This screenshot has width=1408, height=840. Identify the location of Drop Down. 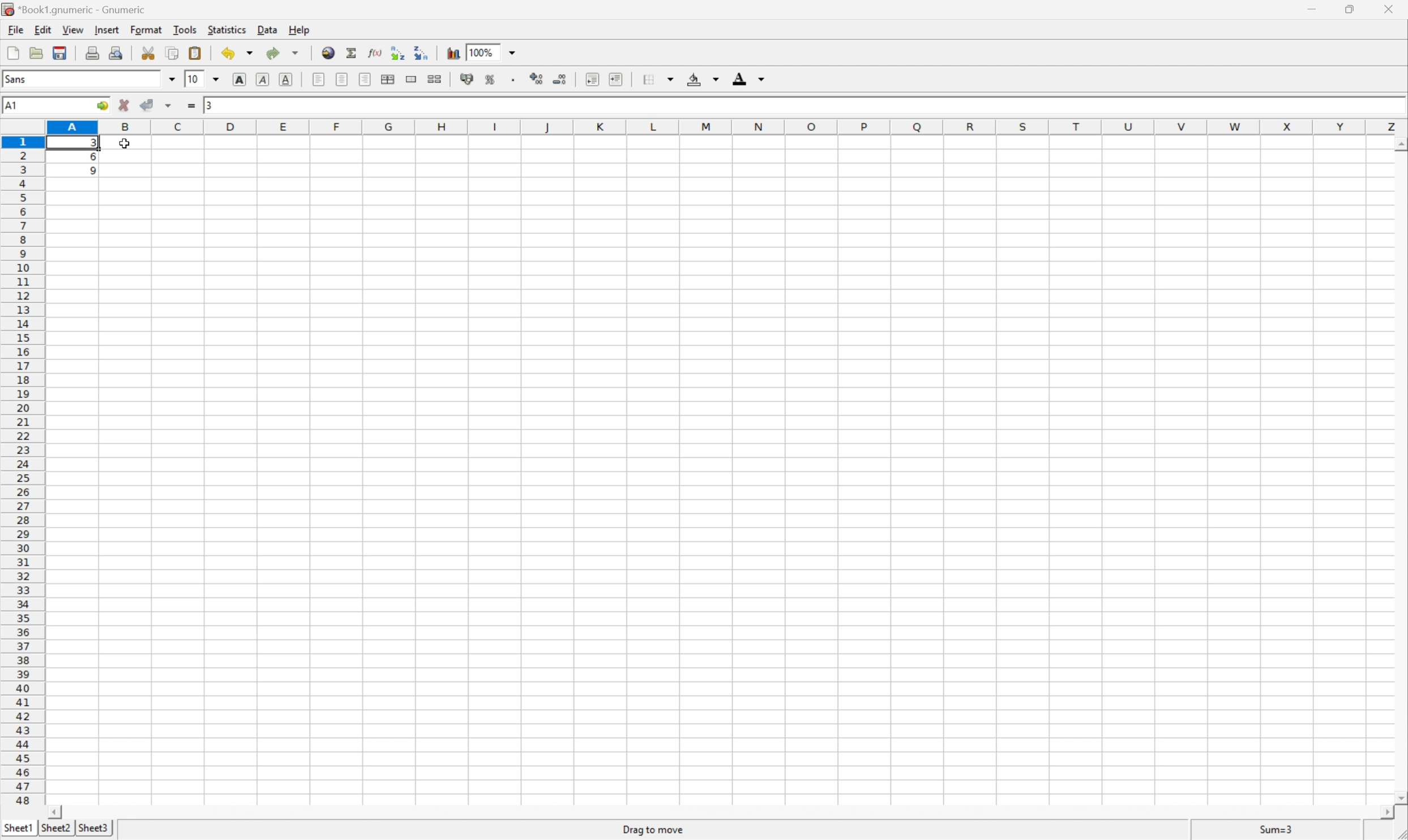
(172, 79).